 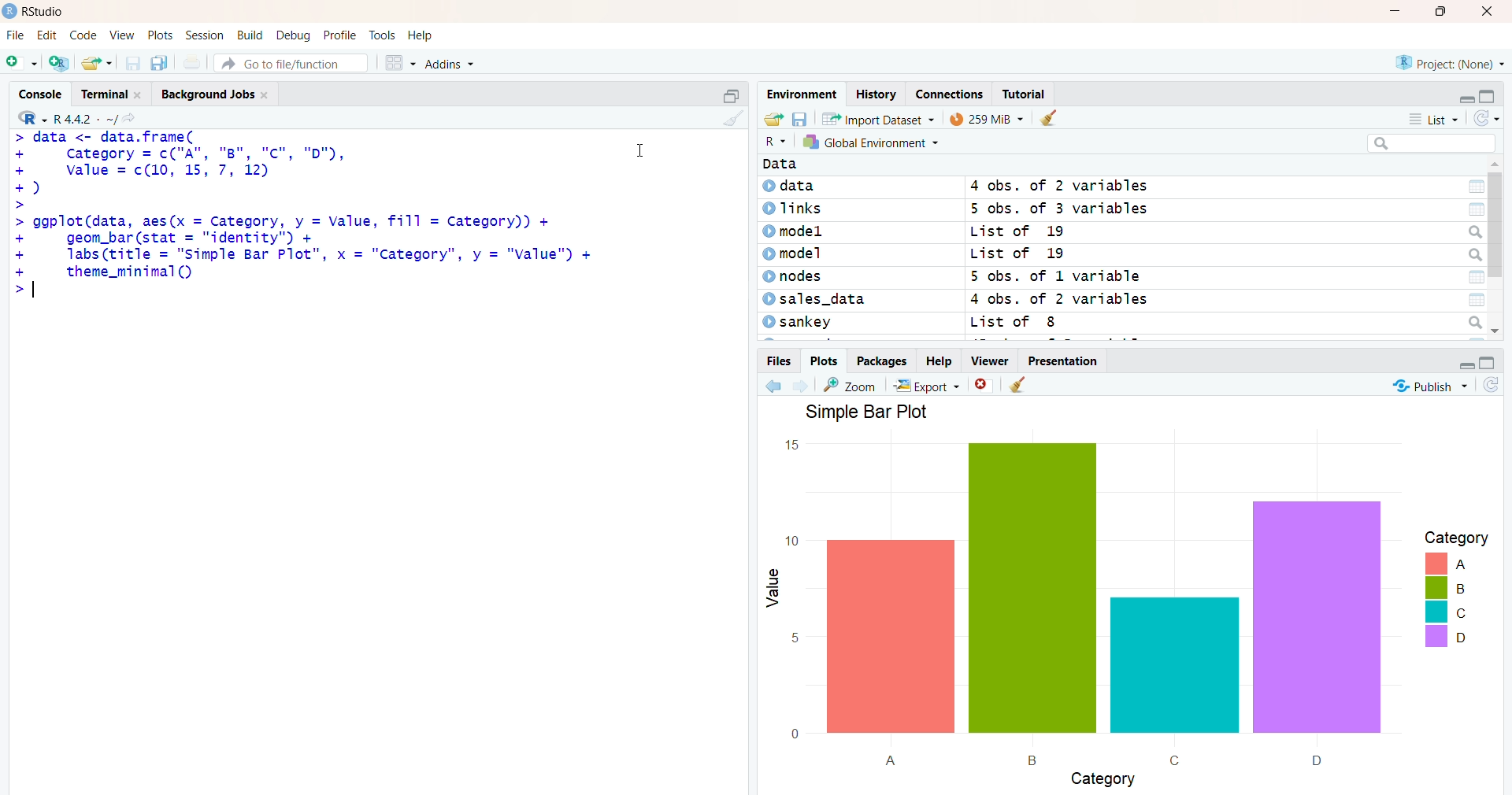 What do you see at coordinates (882, 361) in the screenshot?
I see `packages` at bounding box center [882, 361].